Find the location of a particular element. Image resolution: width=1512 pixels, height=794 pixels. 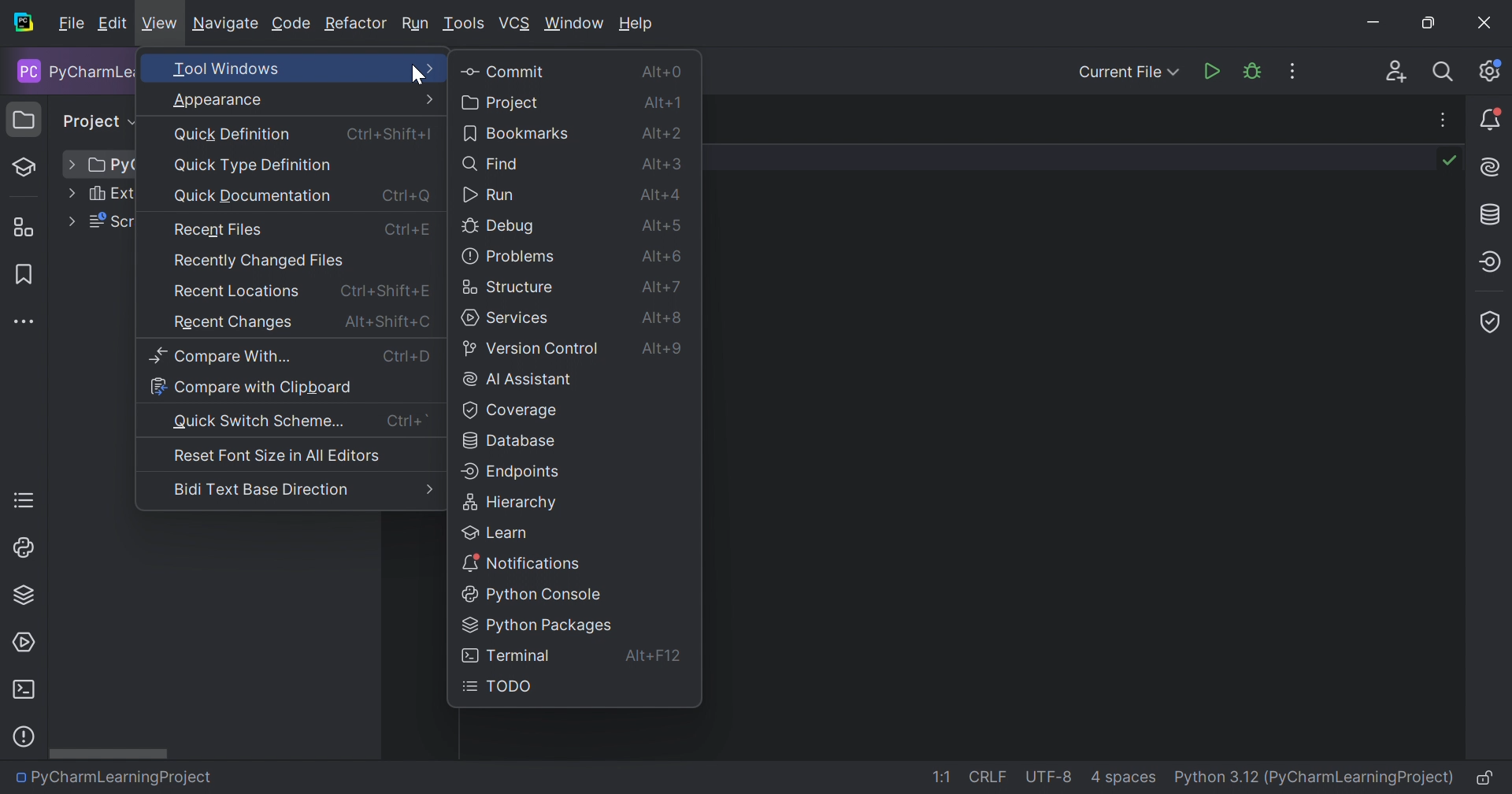

AI assistant is located at coordinates (1492, 167).